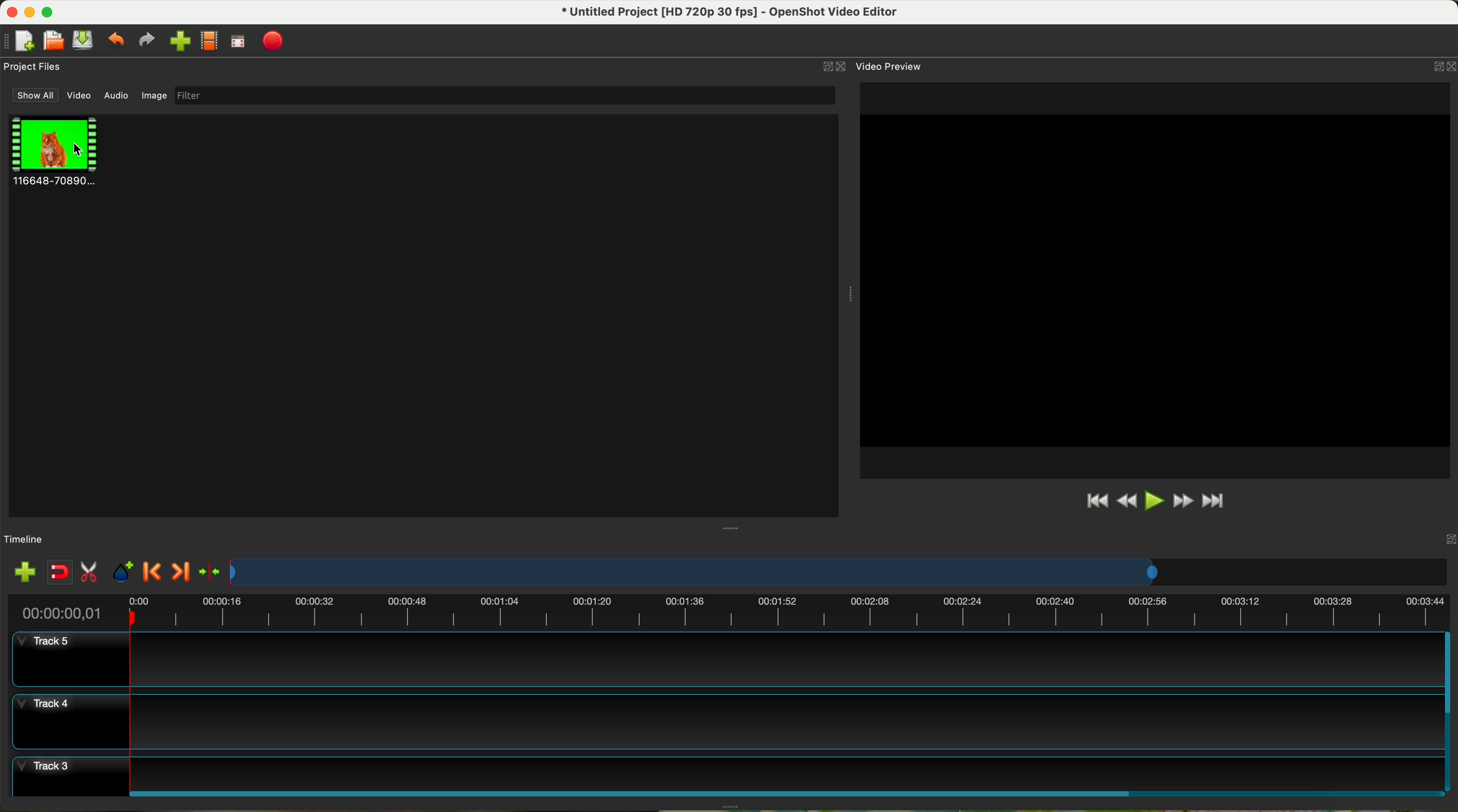 The image size is (1458, 812). What do you see at coordinates (504, 95) in the screenshot?
I see `filter` at bounding box center [504, 95].